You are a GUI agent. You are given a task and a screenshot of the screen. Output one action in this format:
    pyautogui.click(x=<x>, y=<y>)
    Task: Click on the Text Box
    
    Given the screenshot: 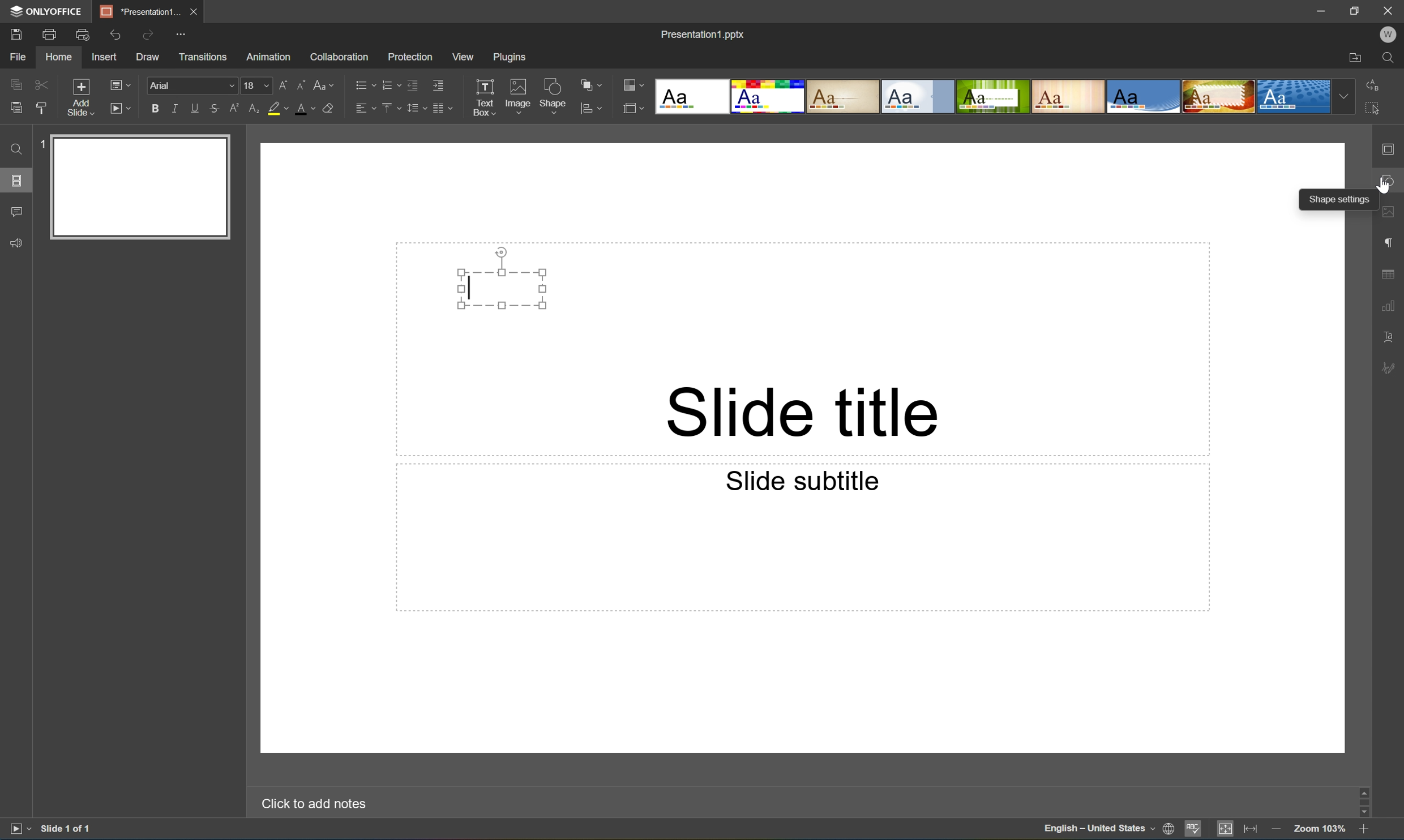 What is the action you would take?
    pyautogui.click(x=483, y=97)
    